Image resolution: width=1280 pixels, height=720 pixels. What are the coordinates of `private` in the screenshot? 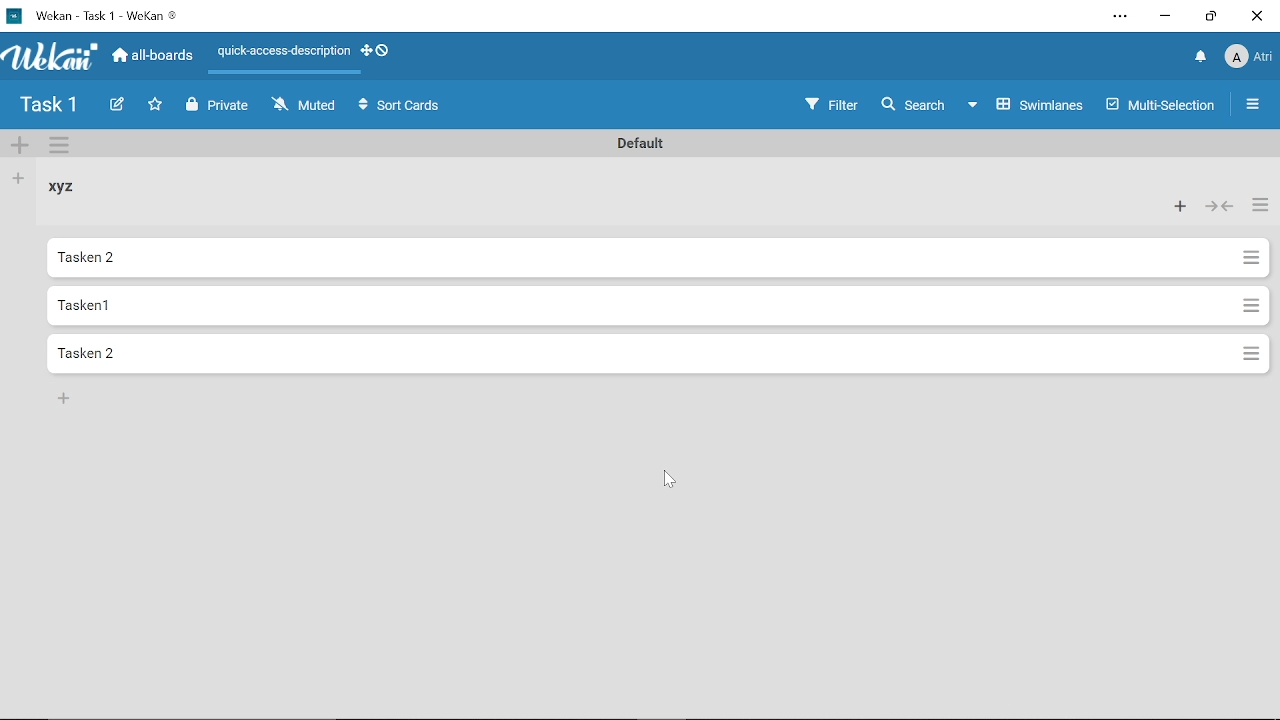 It's located at (222, 107).